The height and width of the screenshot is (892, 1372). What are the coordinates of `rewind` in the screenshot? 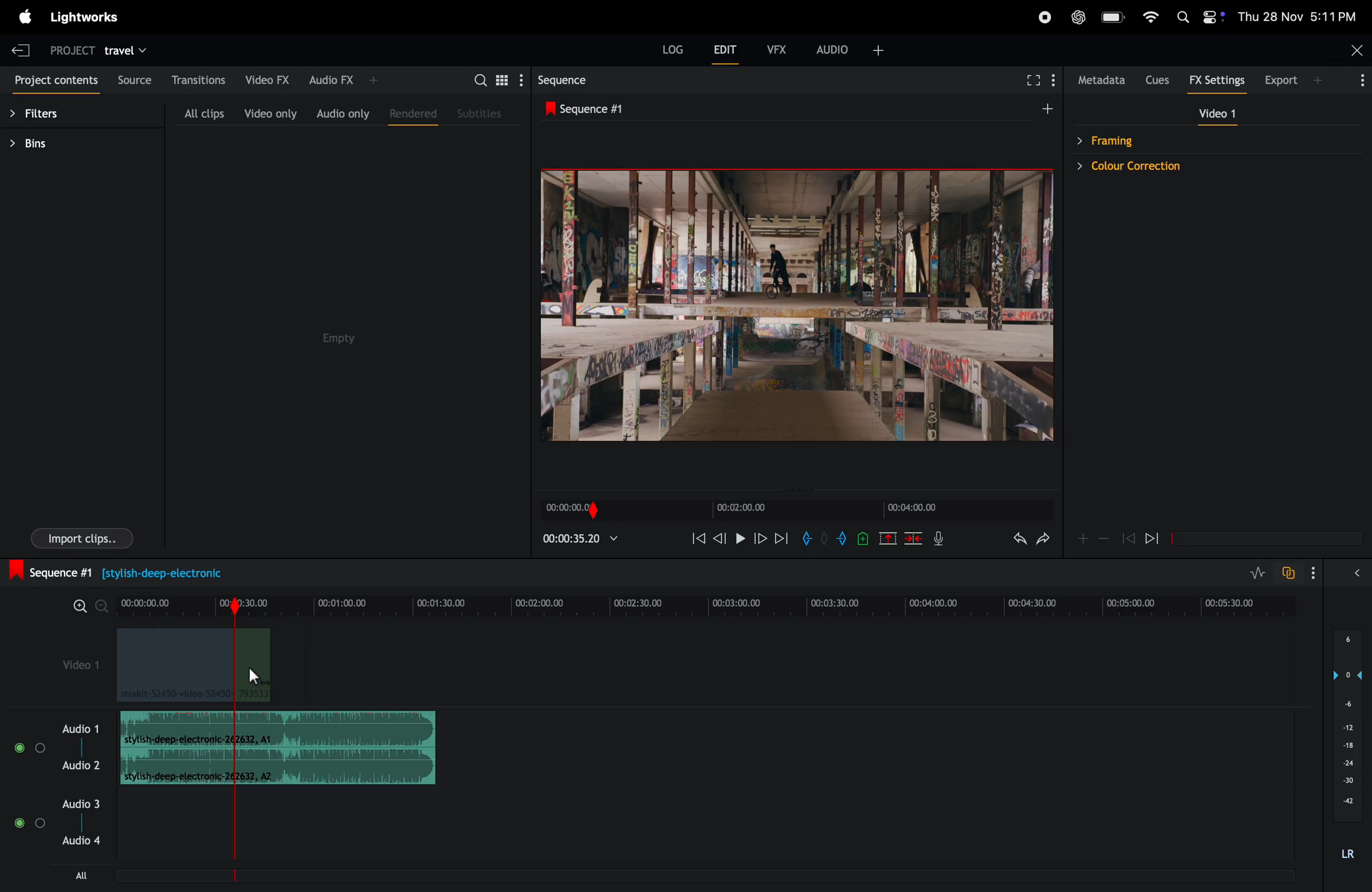 It's located at (696, 541).